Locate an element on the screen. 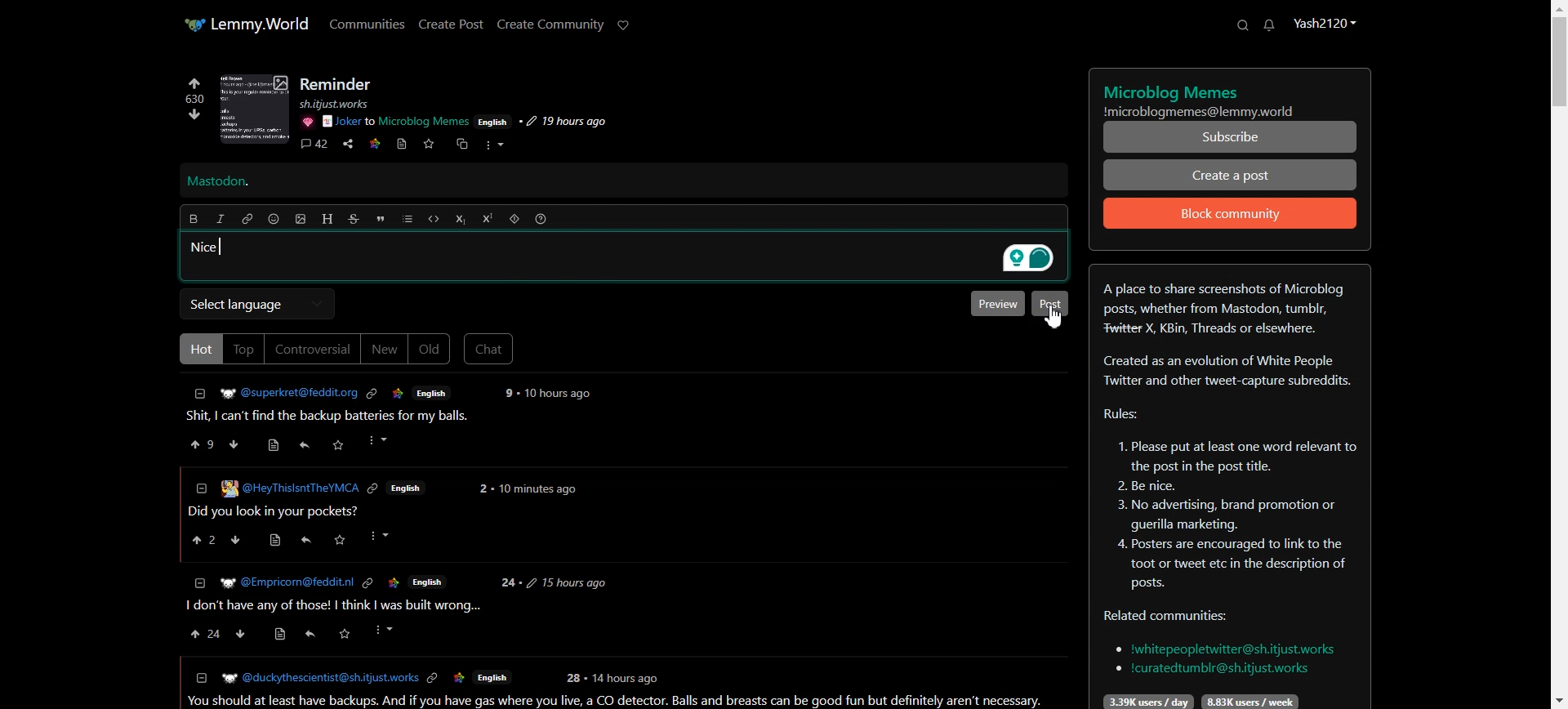 The height and width of the screenshot is (709, 1568). Spoiler is located at coordinates (514, 219).